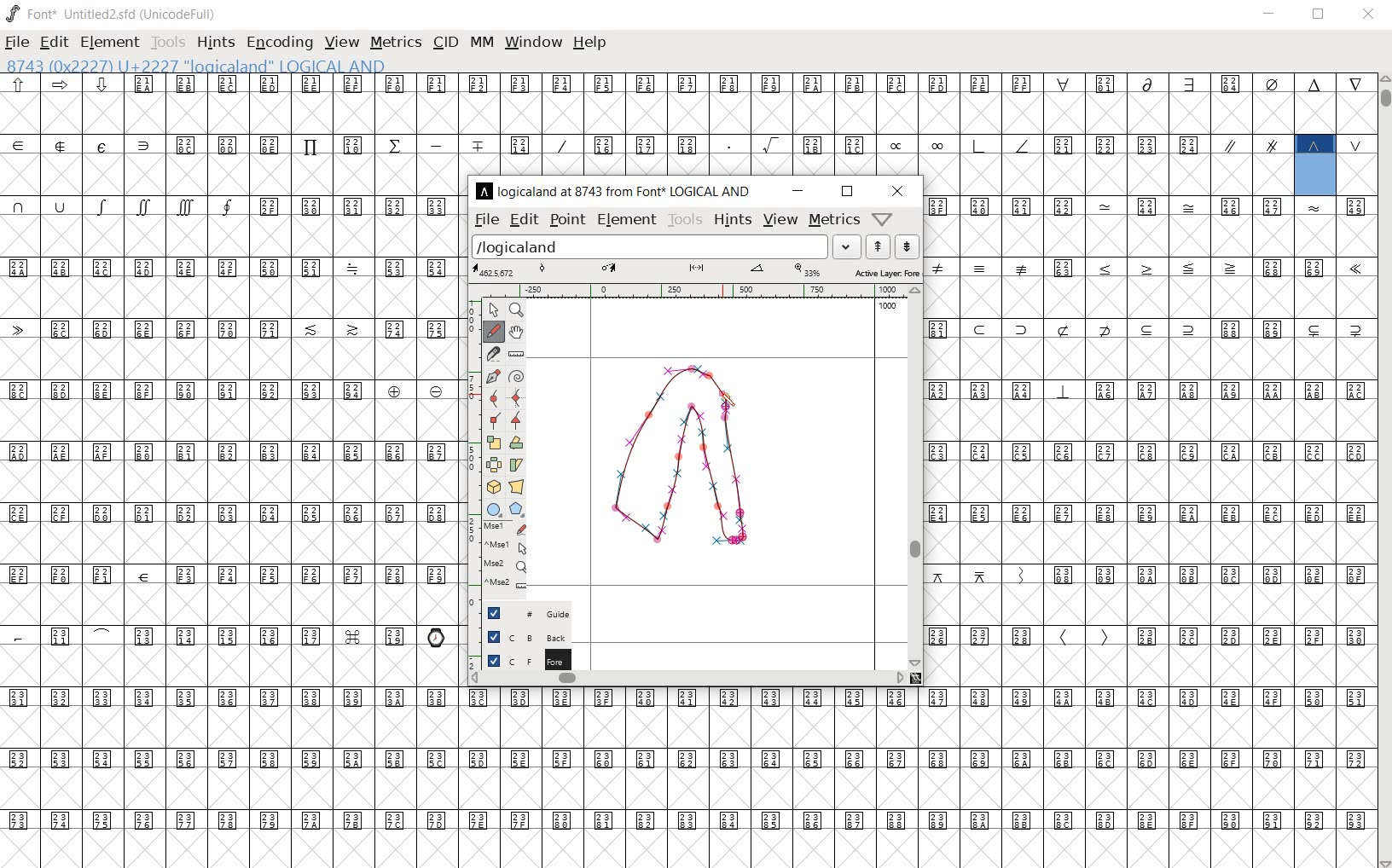  I want to click on load word list, so click(665, 246).